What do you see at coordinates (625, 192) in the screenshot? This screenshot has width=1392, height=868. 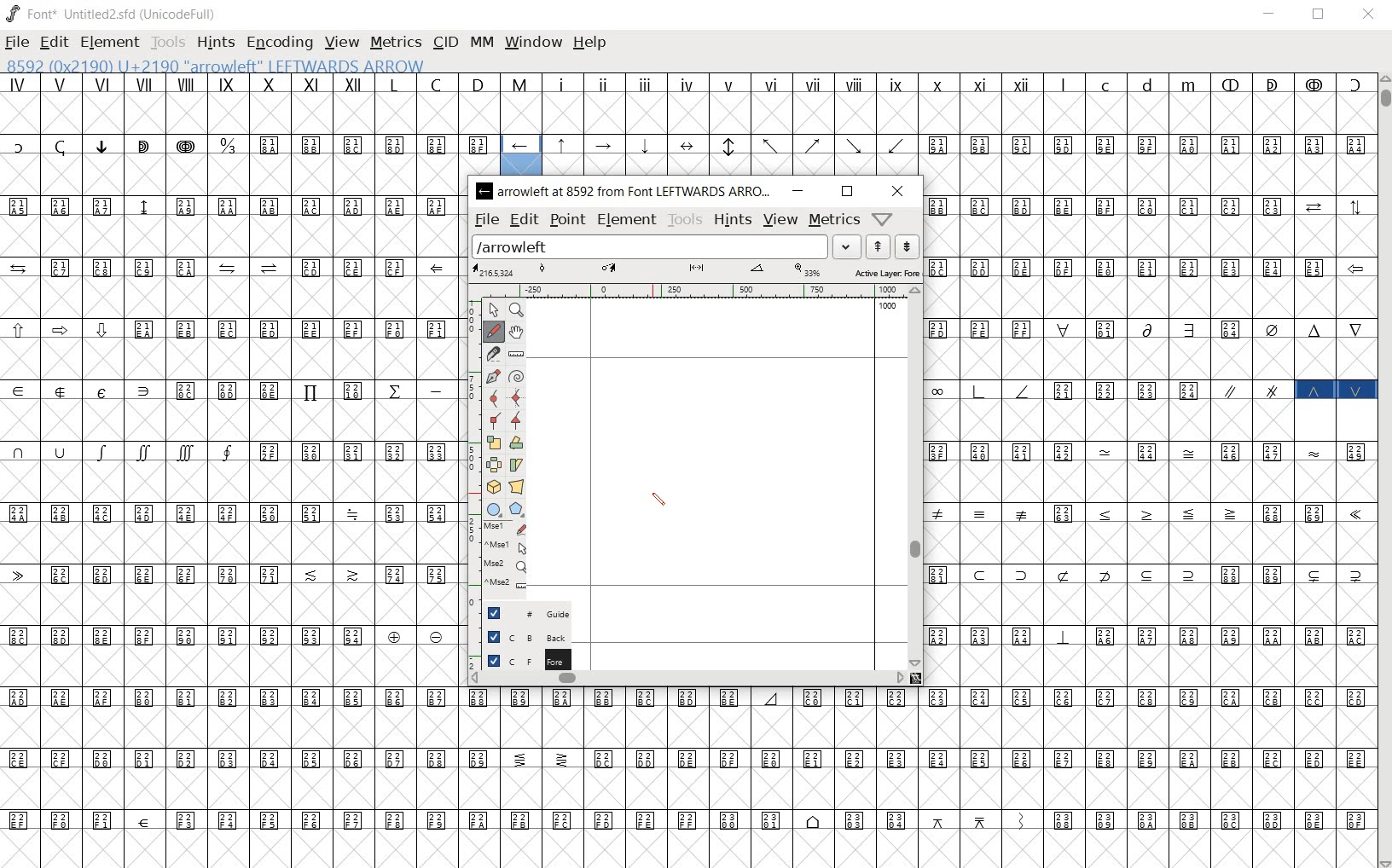 I see `glyph name` at bounding box center [625, 192].